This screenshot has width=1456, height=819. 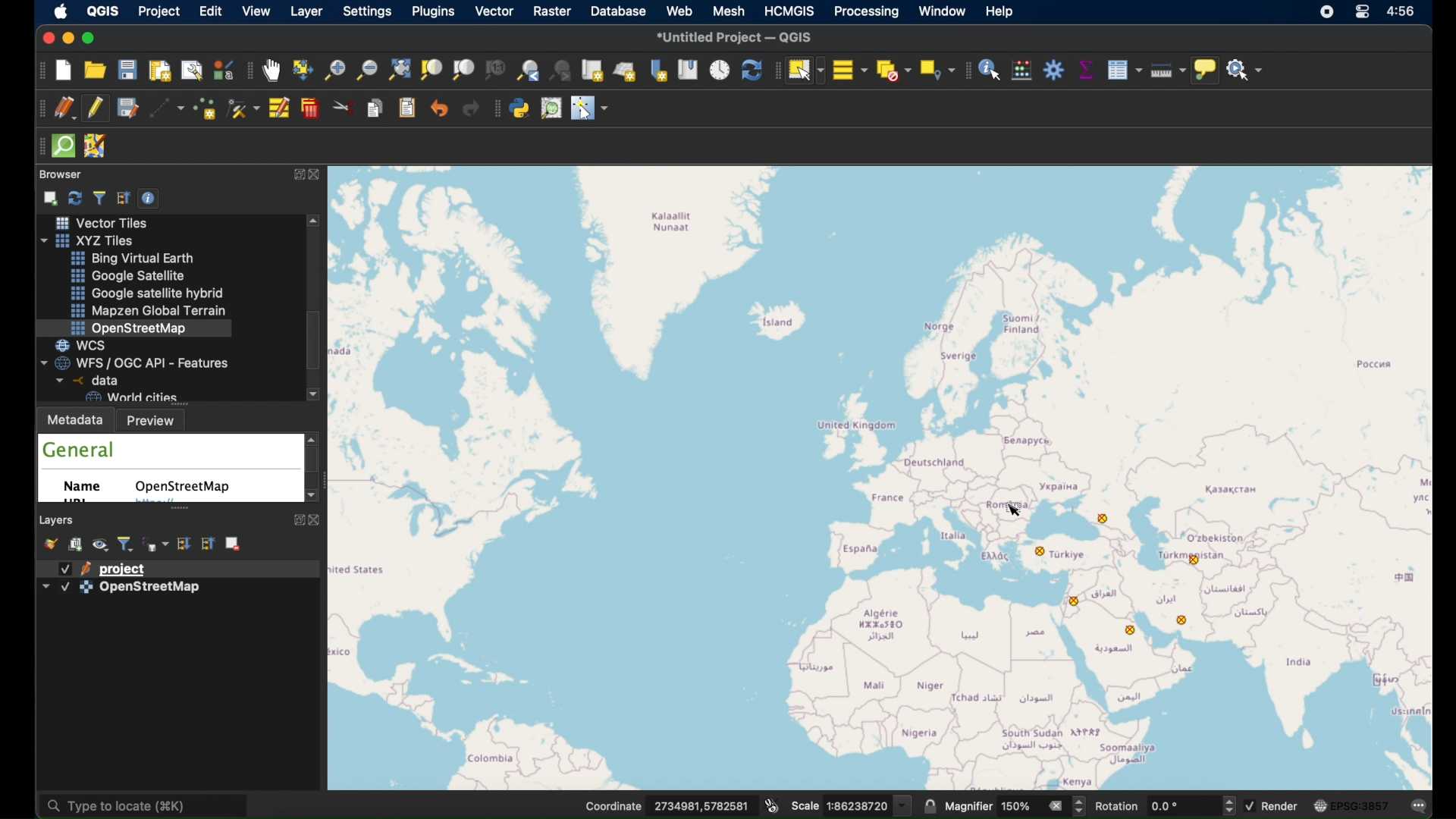 What do you see at coordinates (313, 437) in the screenshot?
I see `scroll up arrow` at bounding box center [313, 437].